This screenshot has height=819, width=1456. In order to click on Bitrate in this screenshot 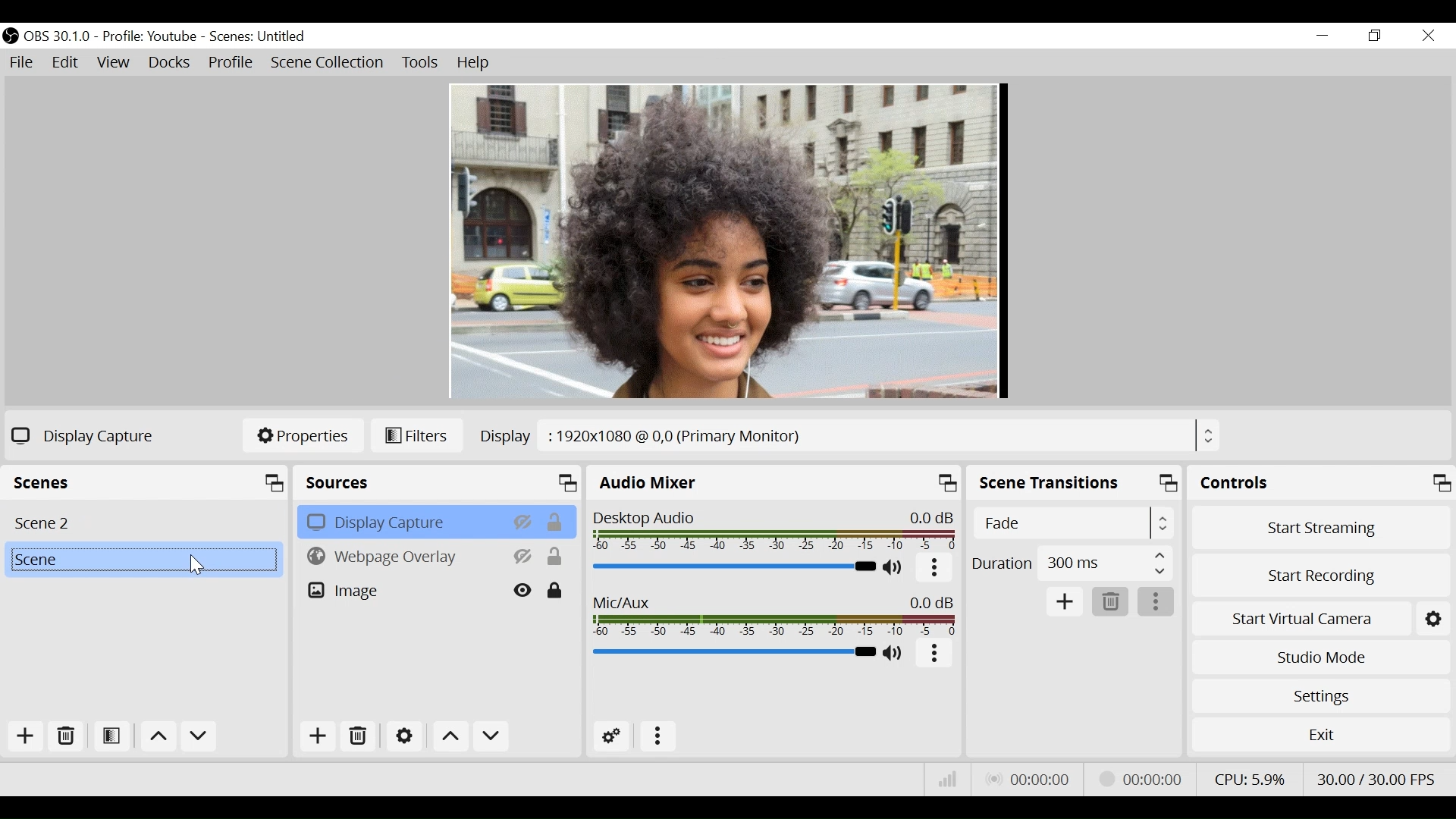, I will do `click(945, 778)`.